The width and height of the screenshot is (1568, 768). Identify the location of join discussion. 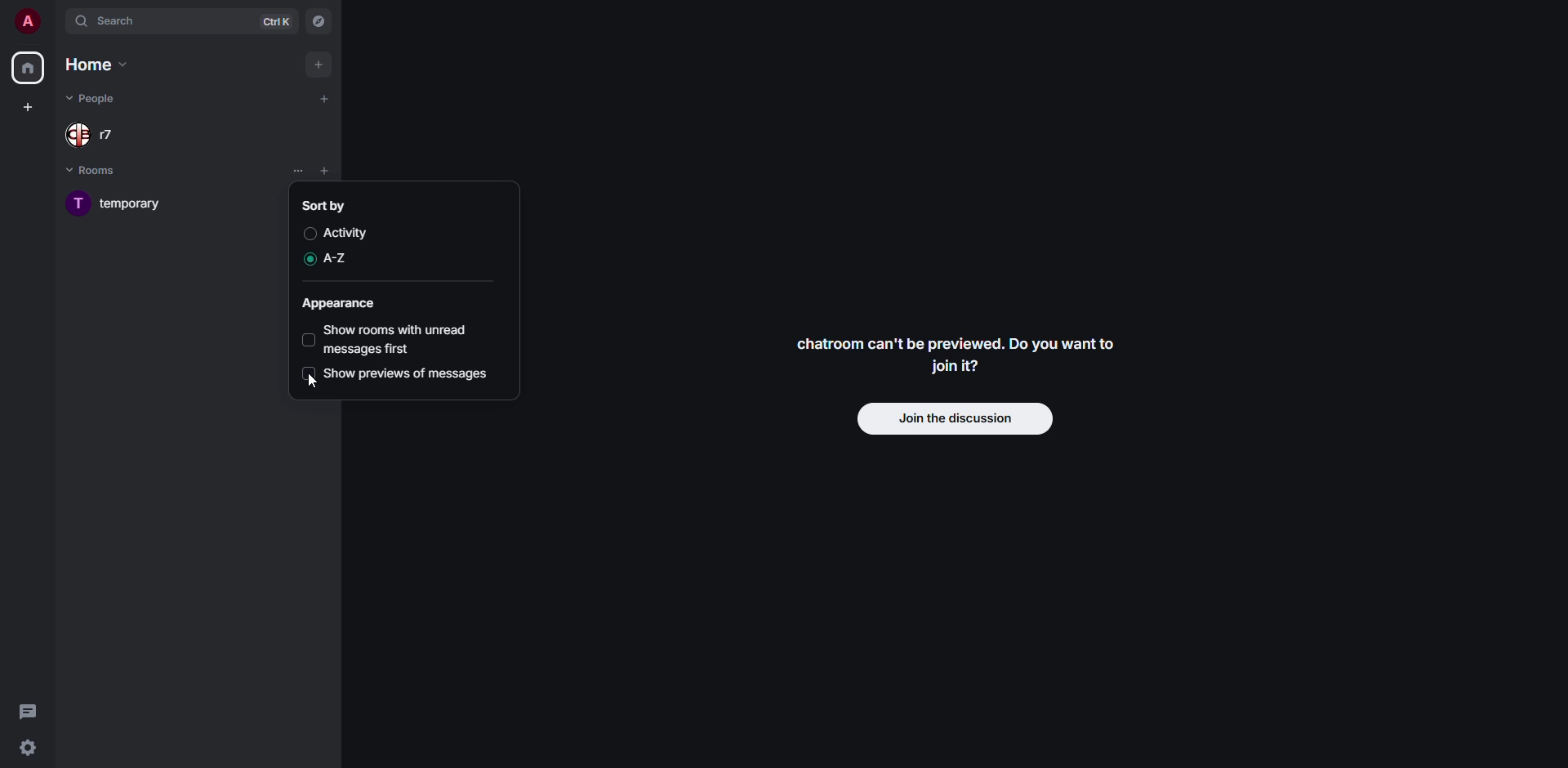
(957, 420).